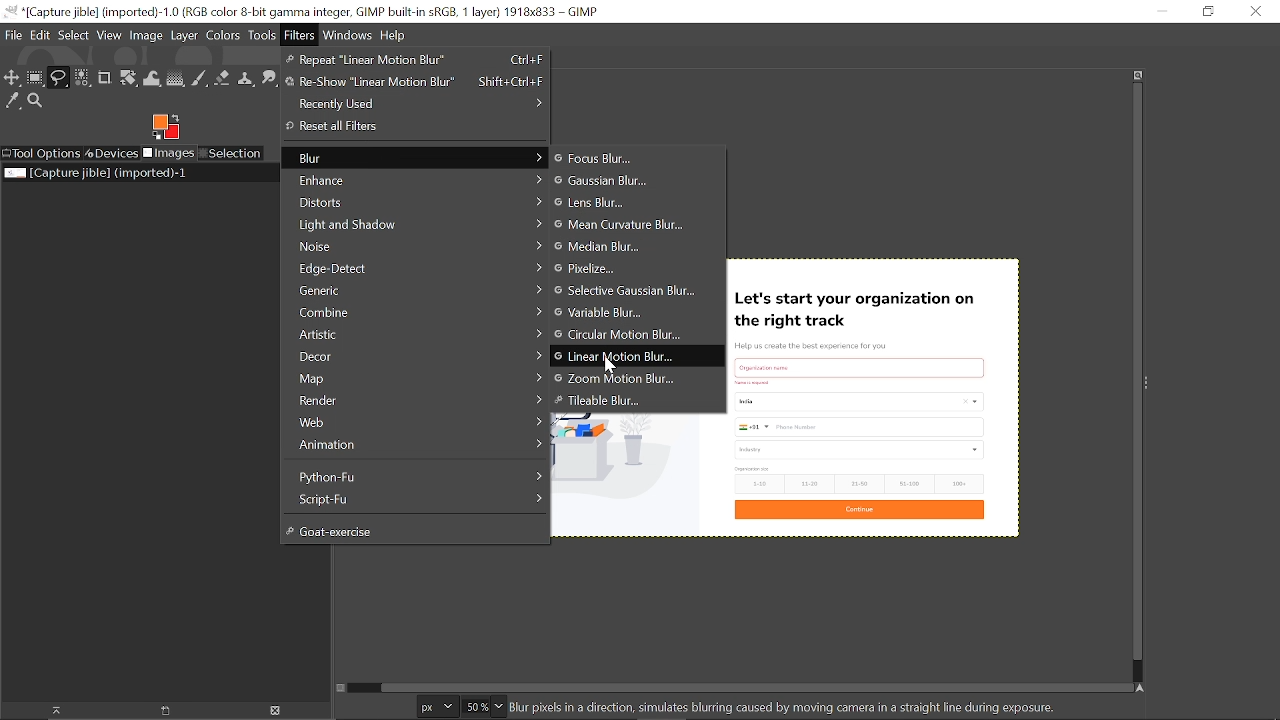  What do you see at coordinates (105, 79) in the screenshot?
I see `Crop text tool` at bounding box center [105, 79].